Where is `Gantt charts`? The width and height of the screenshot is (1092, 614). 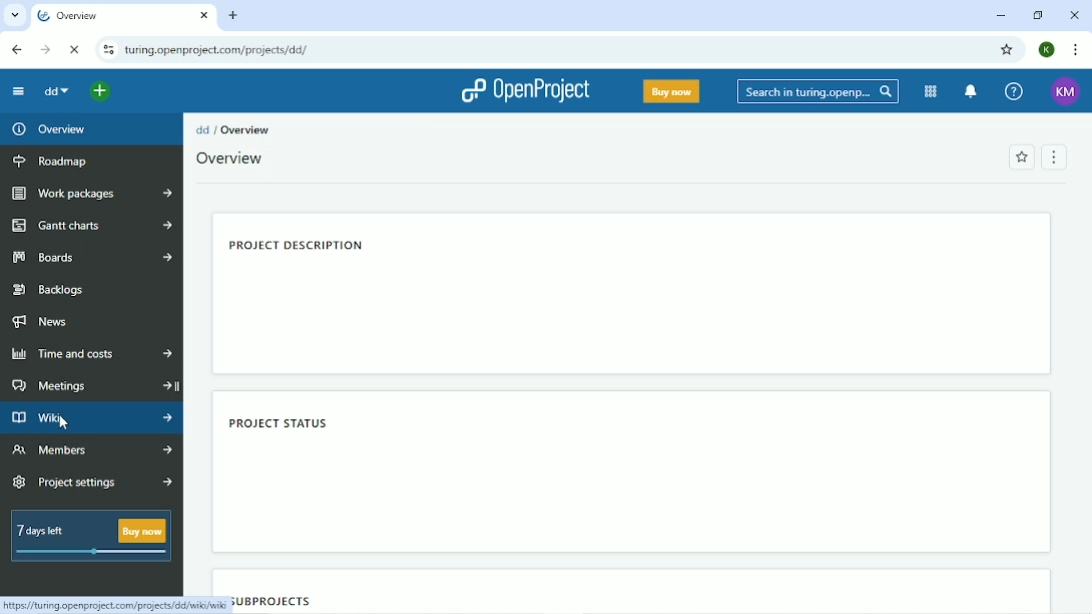
Gantt charts is located at coordinates (91, 225).